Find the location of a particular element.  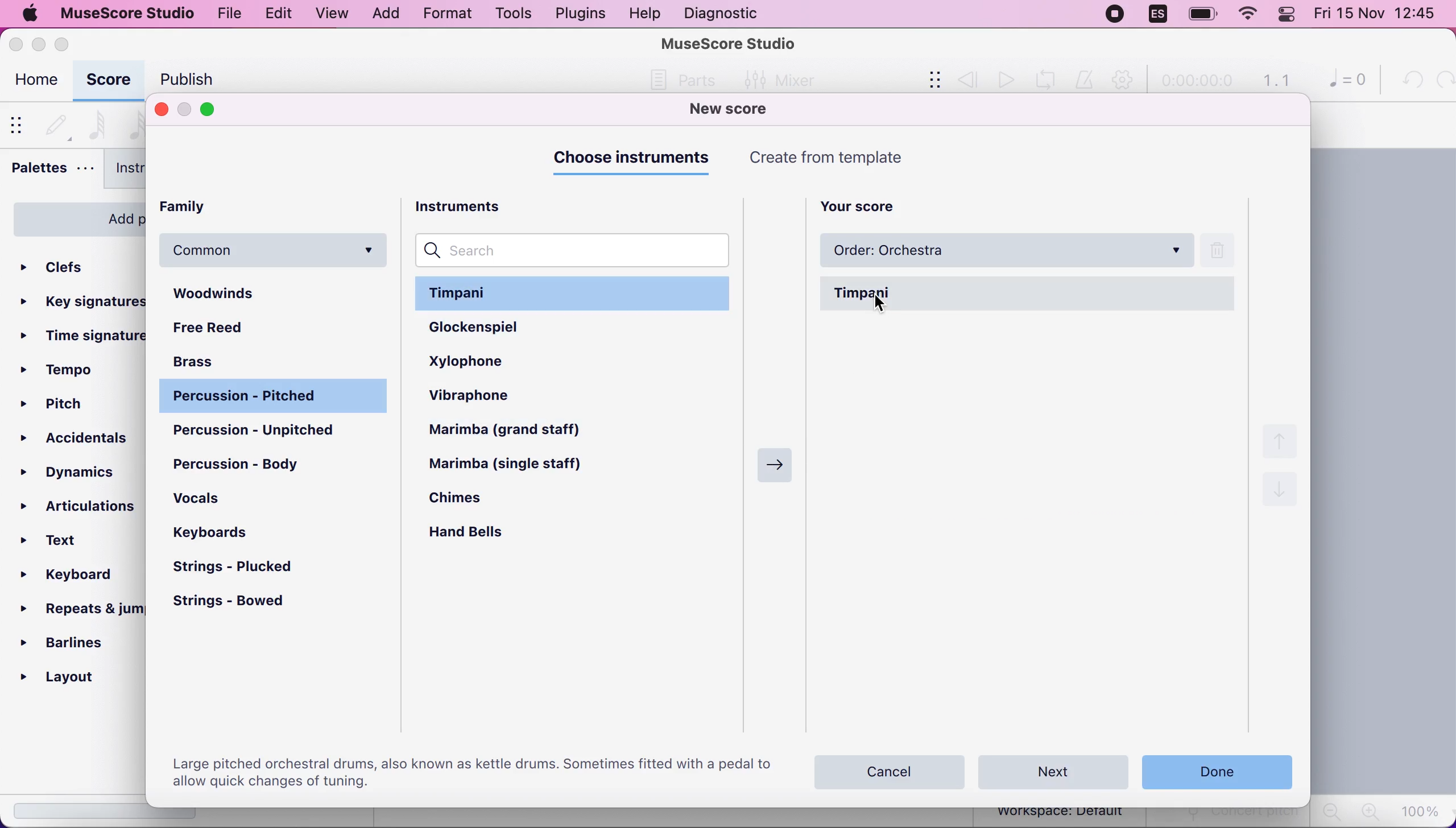

family is located at coordinates (204, 208).